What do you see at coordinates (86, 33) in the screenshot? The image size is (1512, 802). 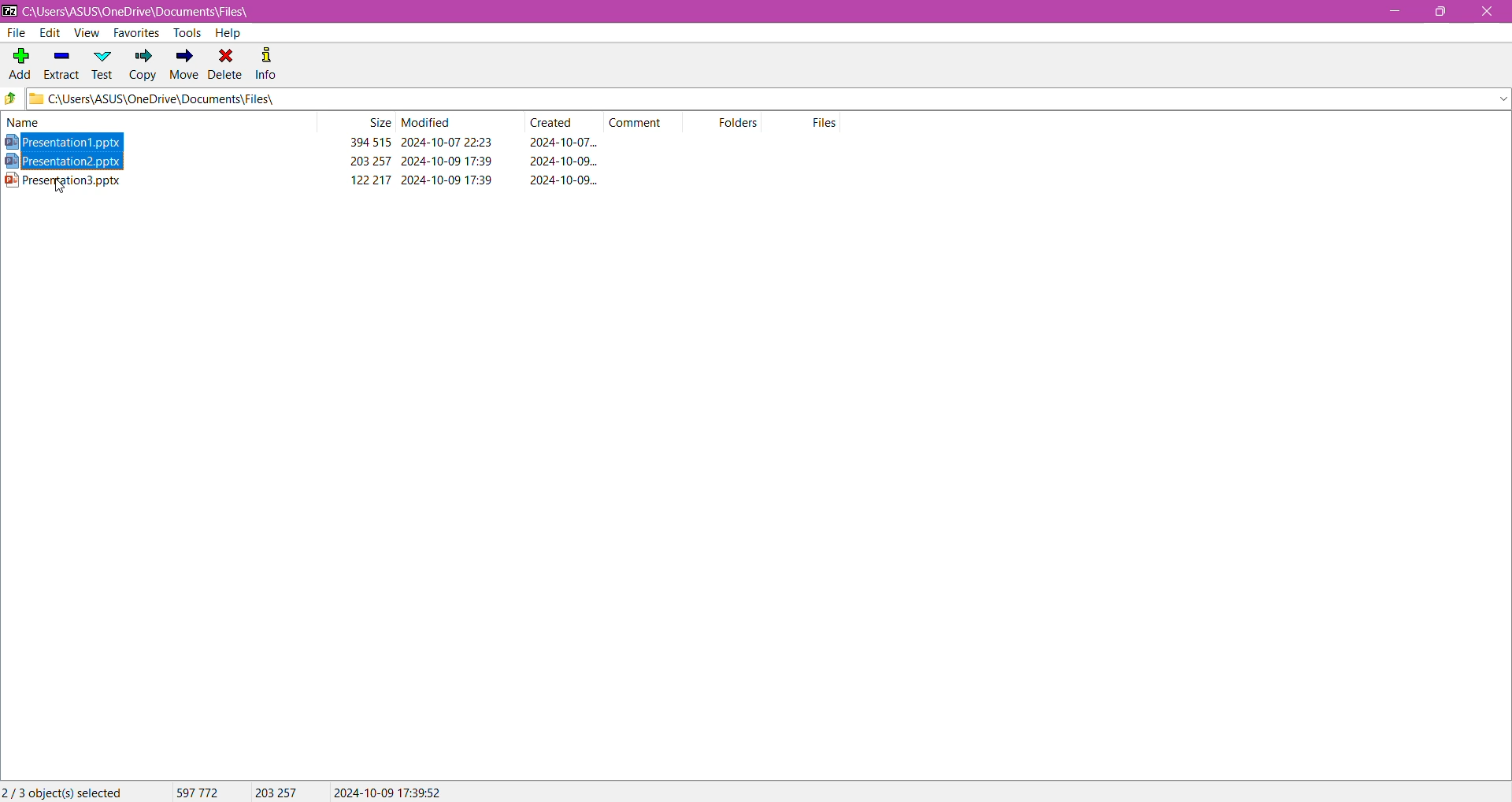 I see `View` at bounding box center [86, 33].